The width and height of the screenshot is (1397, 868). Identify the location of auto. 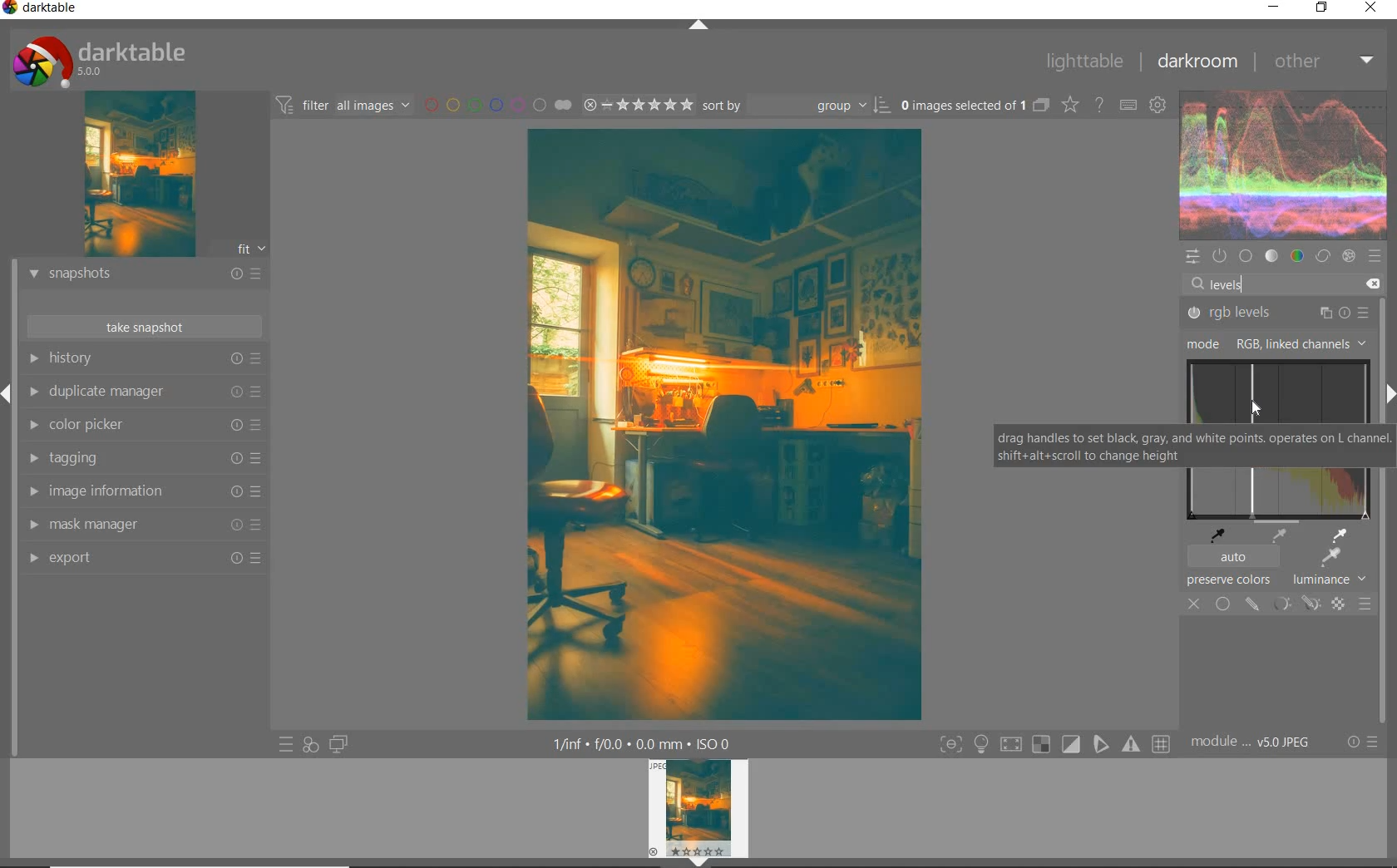
(1232, 558).